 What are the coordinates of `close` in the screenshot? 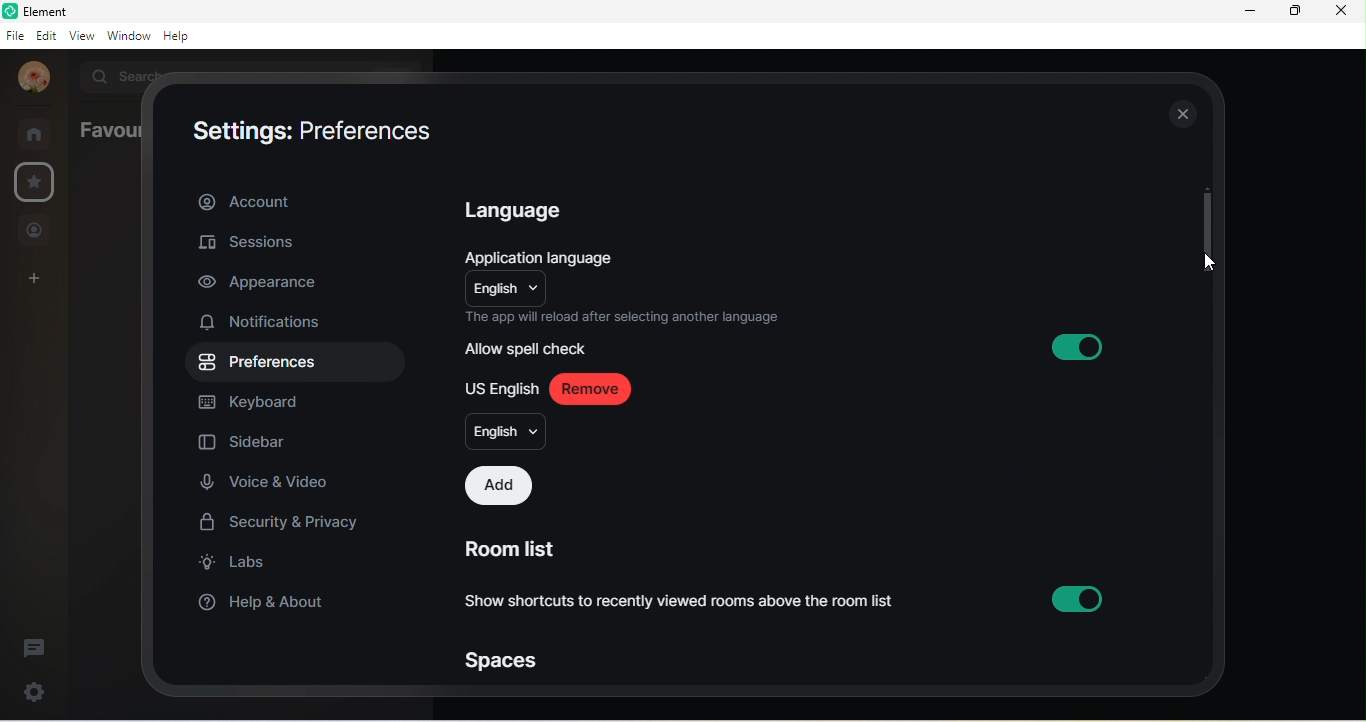 It's located at (1180, 116).